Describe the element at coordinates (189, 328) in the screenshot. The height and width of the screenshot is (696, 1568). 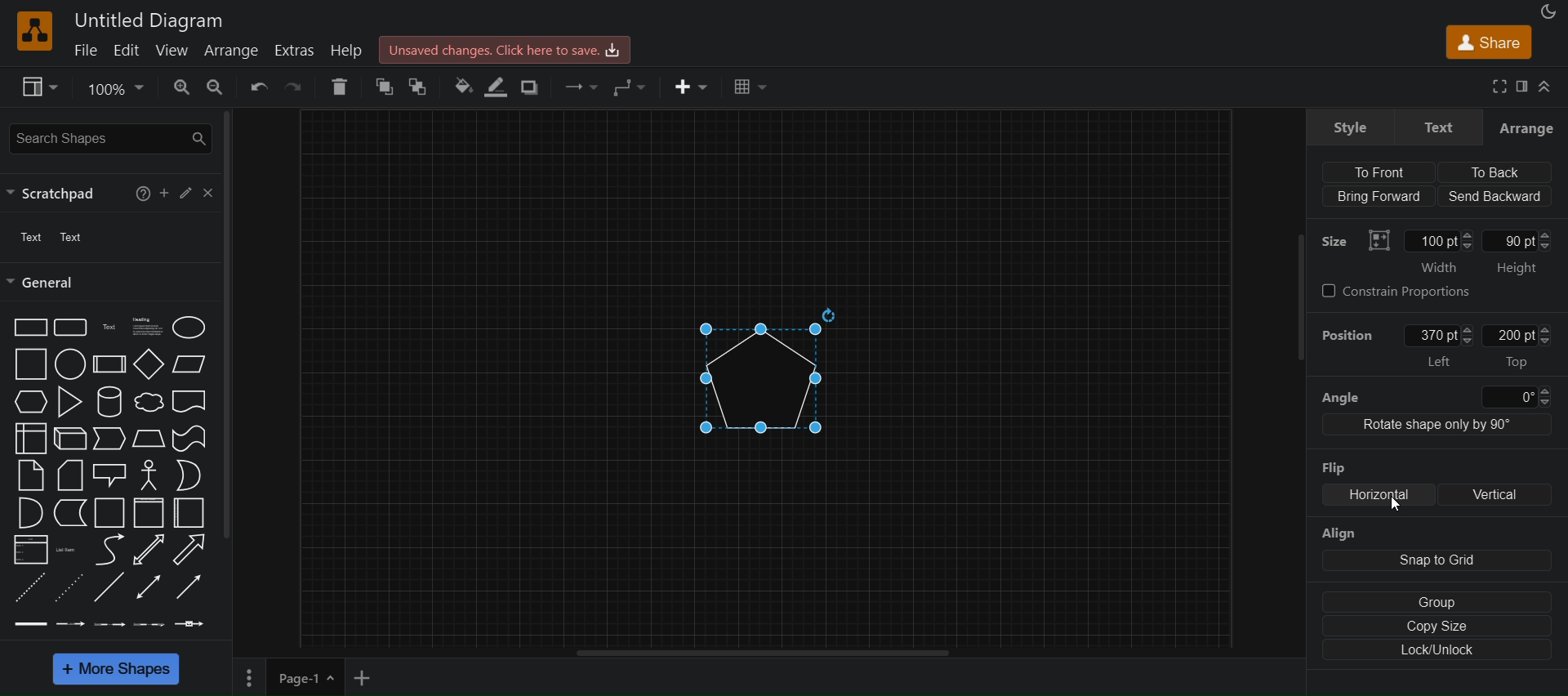
I see `Ellipse` at that location.